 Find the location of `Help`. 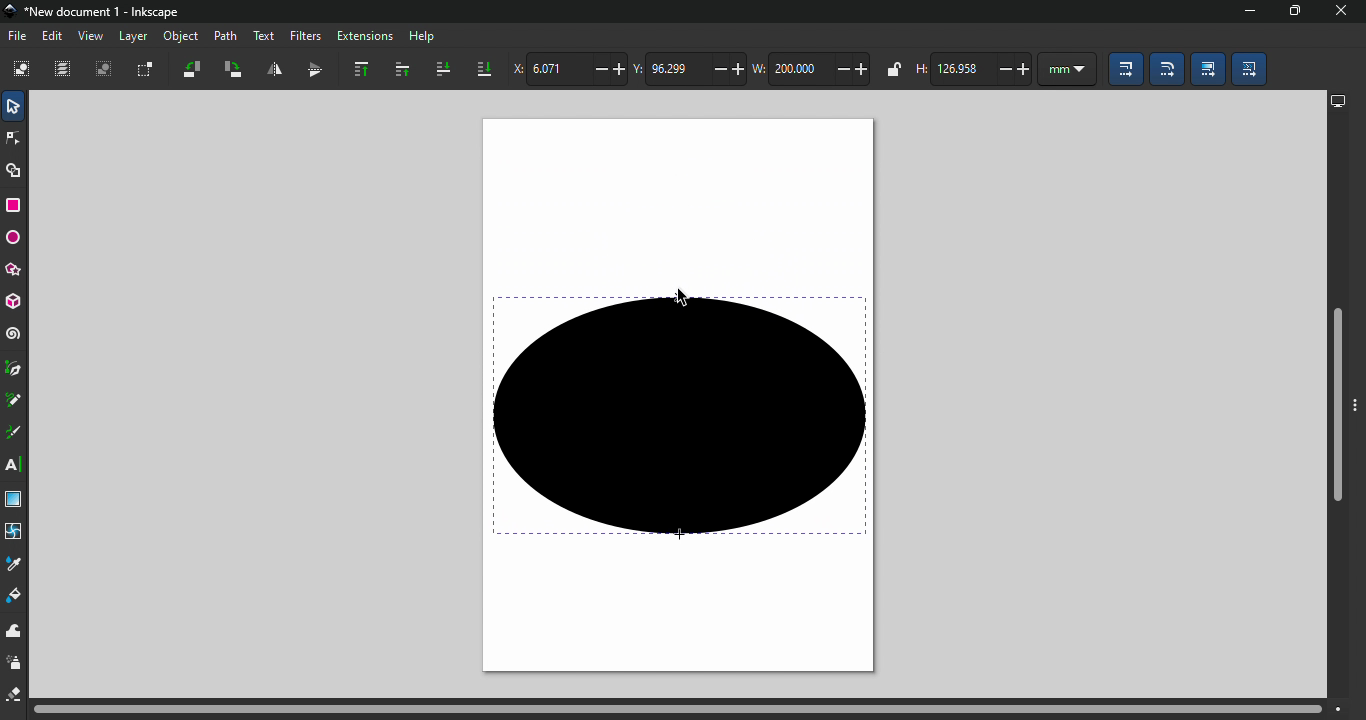

Help is located at coordinates (420, 34).